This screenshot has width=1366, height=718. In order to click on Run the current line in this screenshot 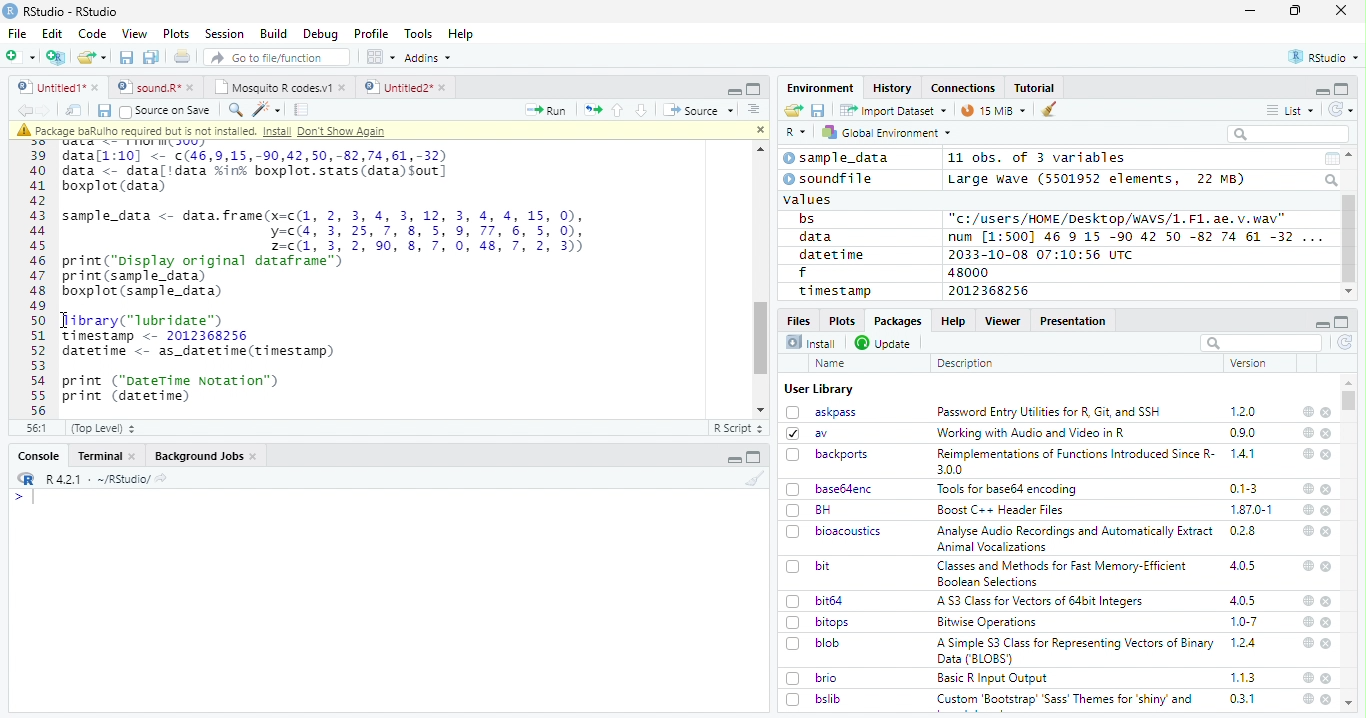, I will do `click(546, 110)`.